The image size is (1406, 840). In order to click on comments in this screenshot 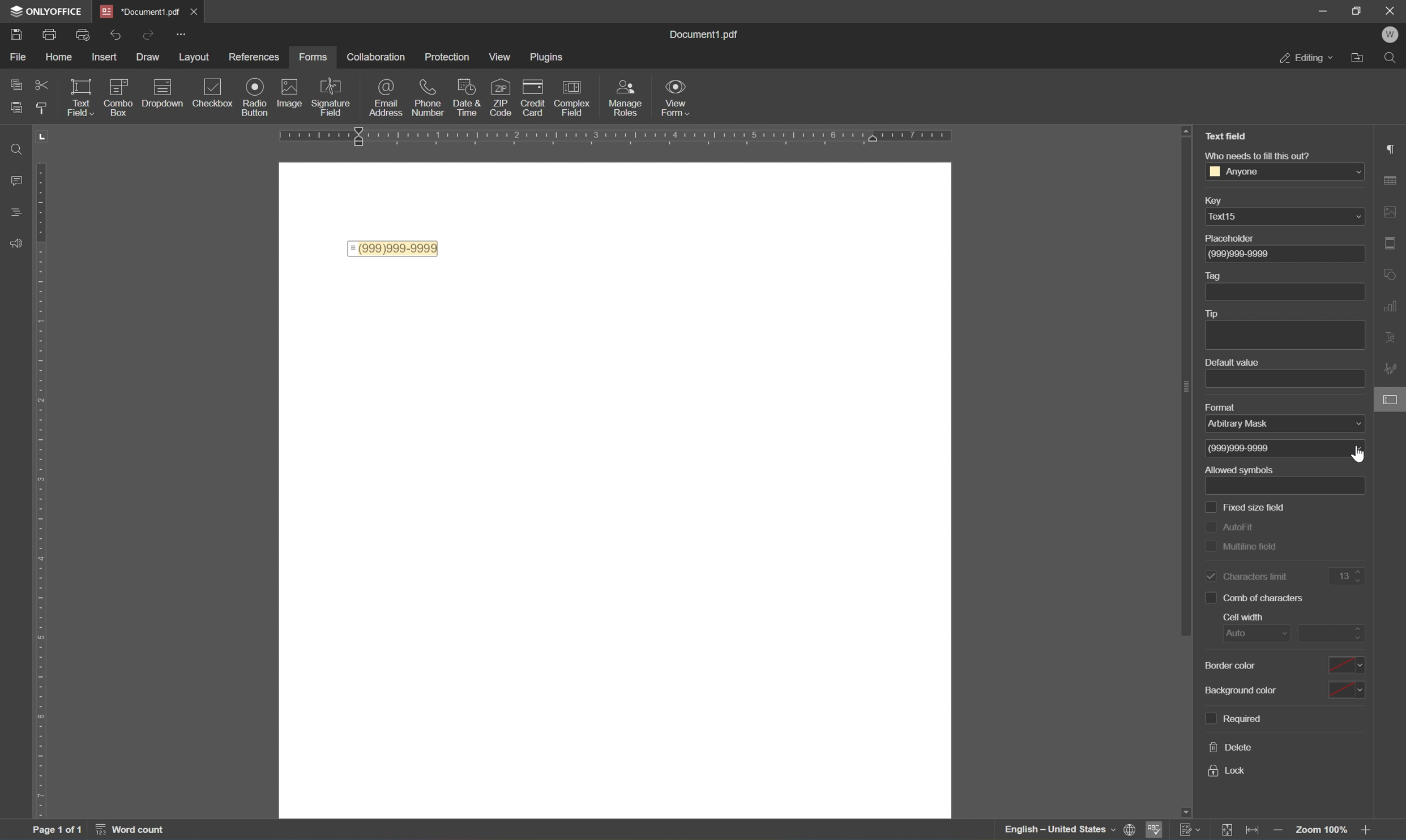, I will do `click(12, 180)`.